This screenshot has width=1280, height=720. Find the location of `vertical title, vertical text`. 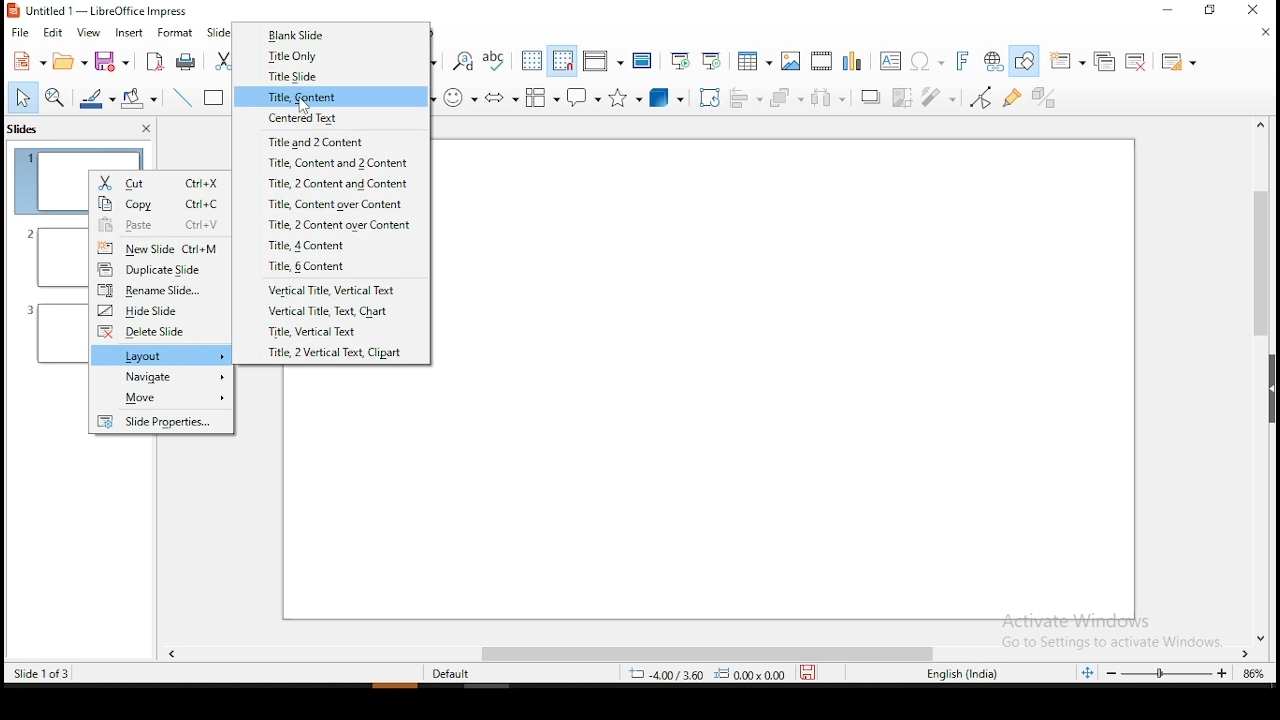

vertical title, vertical text is located at coordinates (338, 288).